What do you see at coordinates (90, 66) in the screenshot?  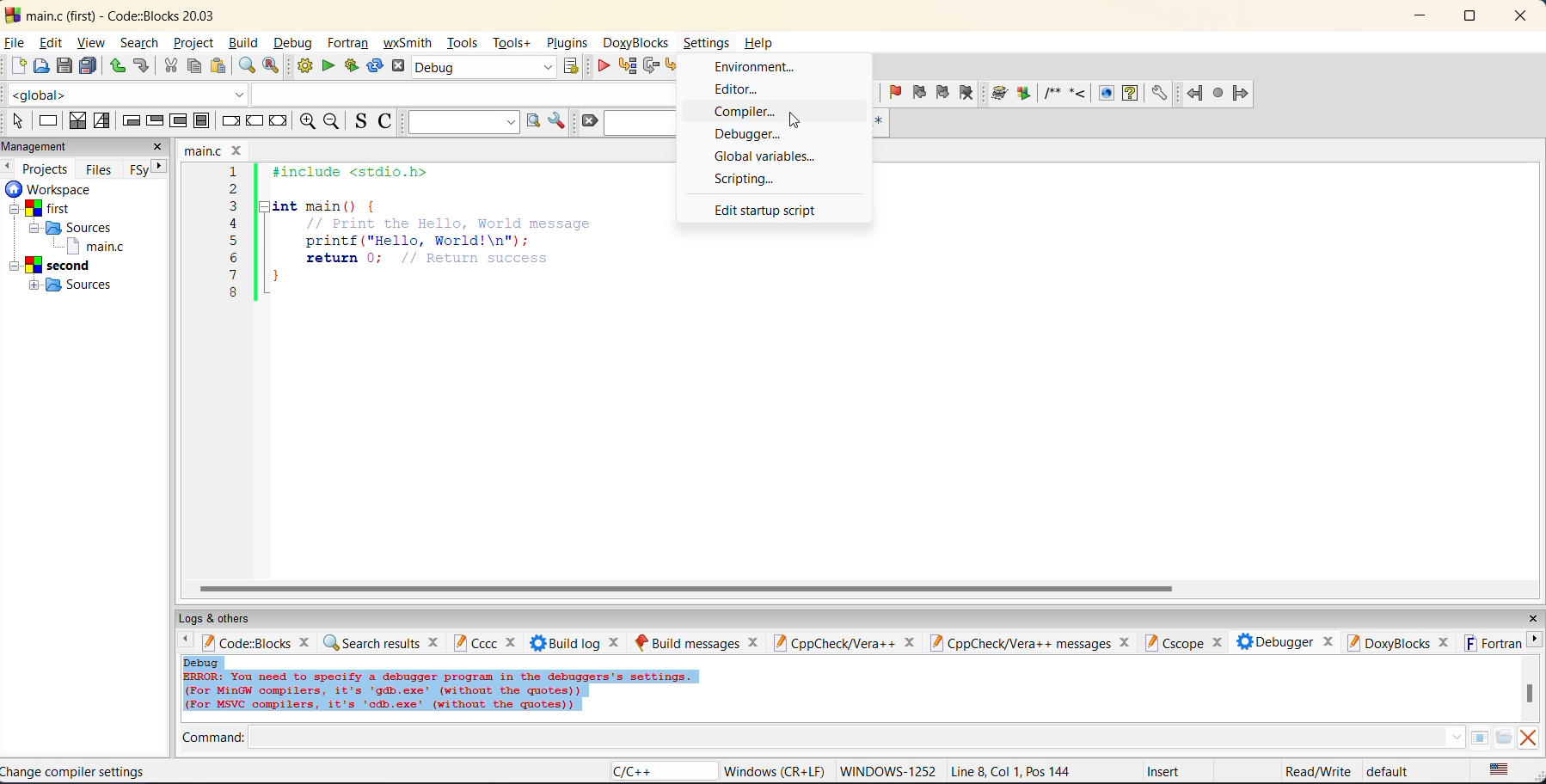 I see `save everything` at bounding box center [90, 66].